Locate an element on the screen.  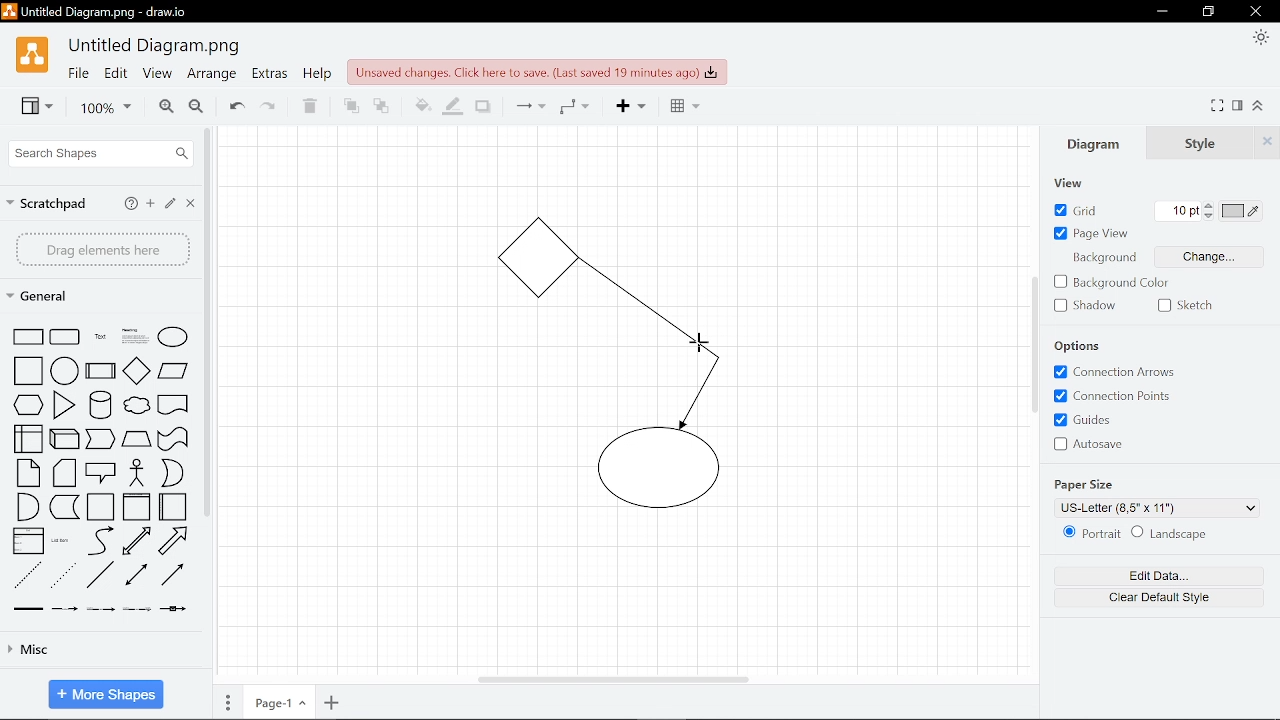
checkbox is located at coordinates (1060, 371).